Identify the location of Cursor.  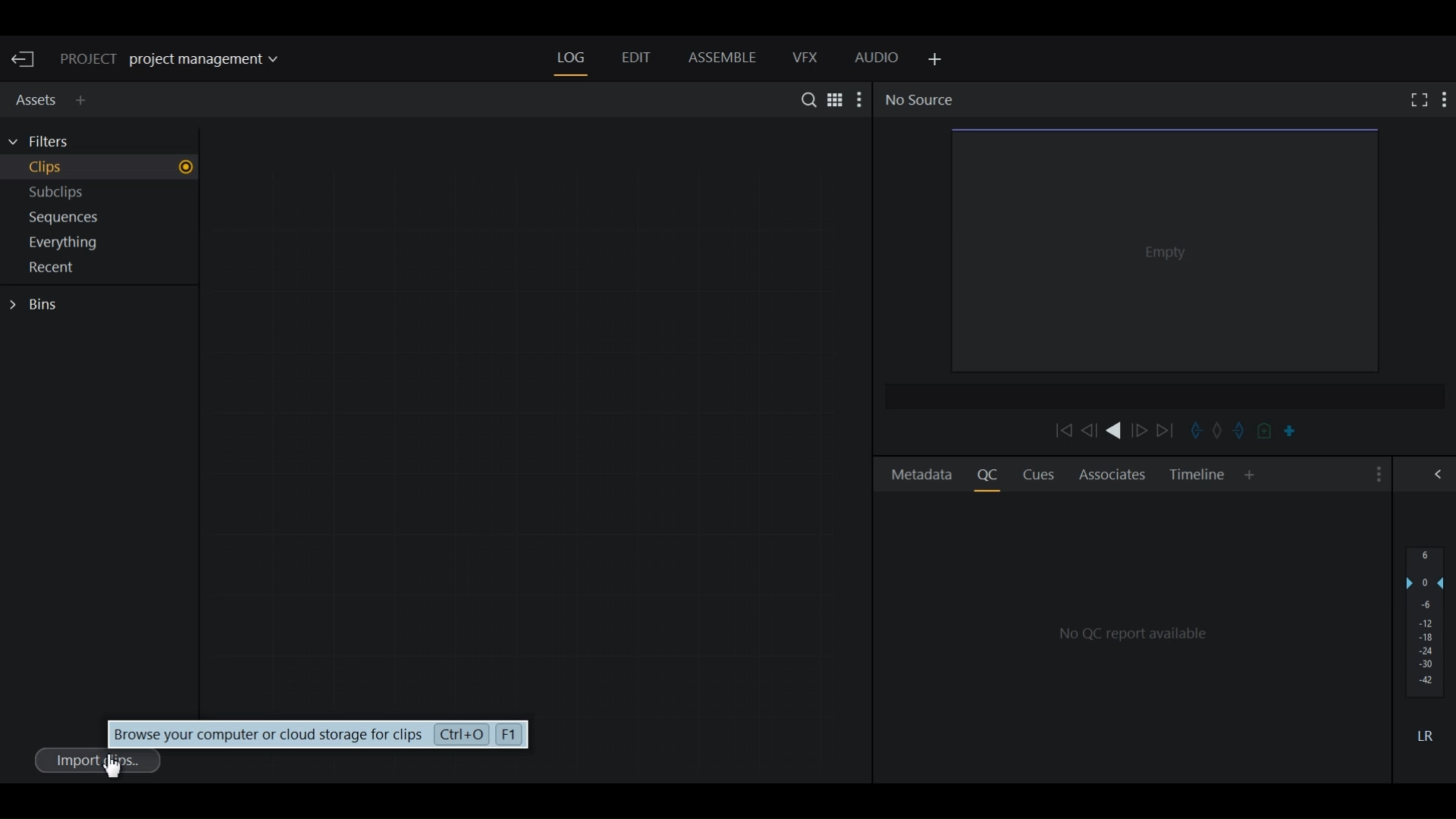
(113, 767).